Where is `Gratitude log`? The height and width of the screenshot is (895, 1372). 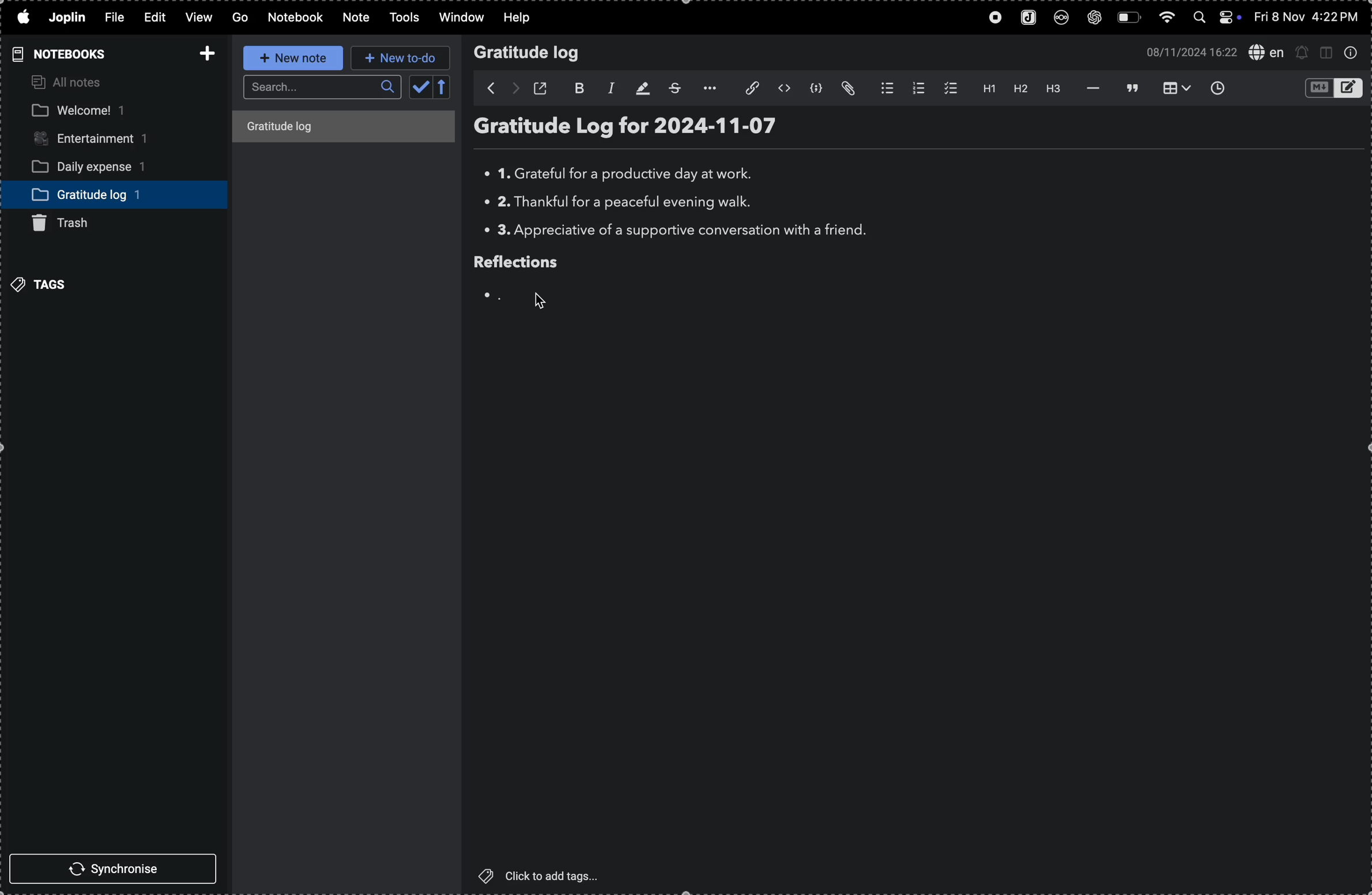
Gratitude log is located at coordinates (529, 53).